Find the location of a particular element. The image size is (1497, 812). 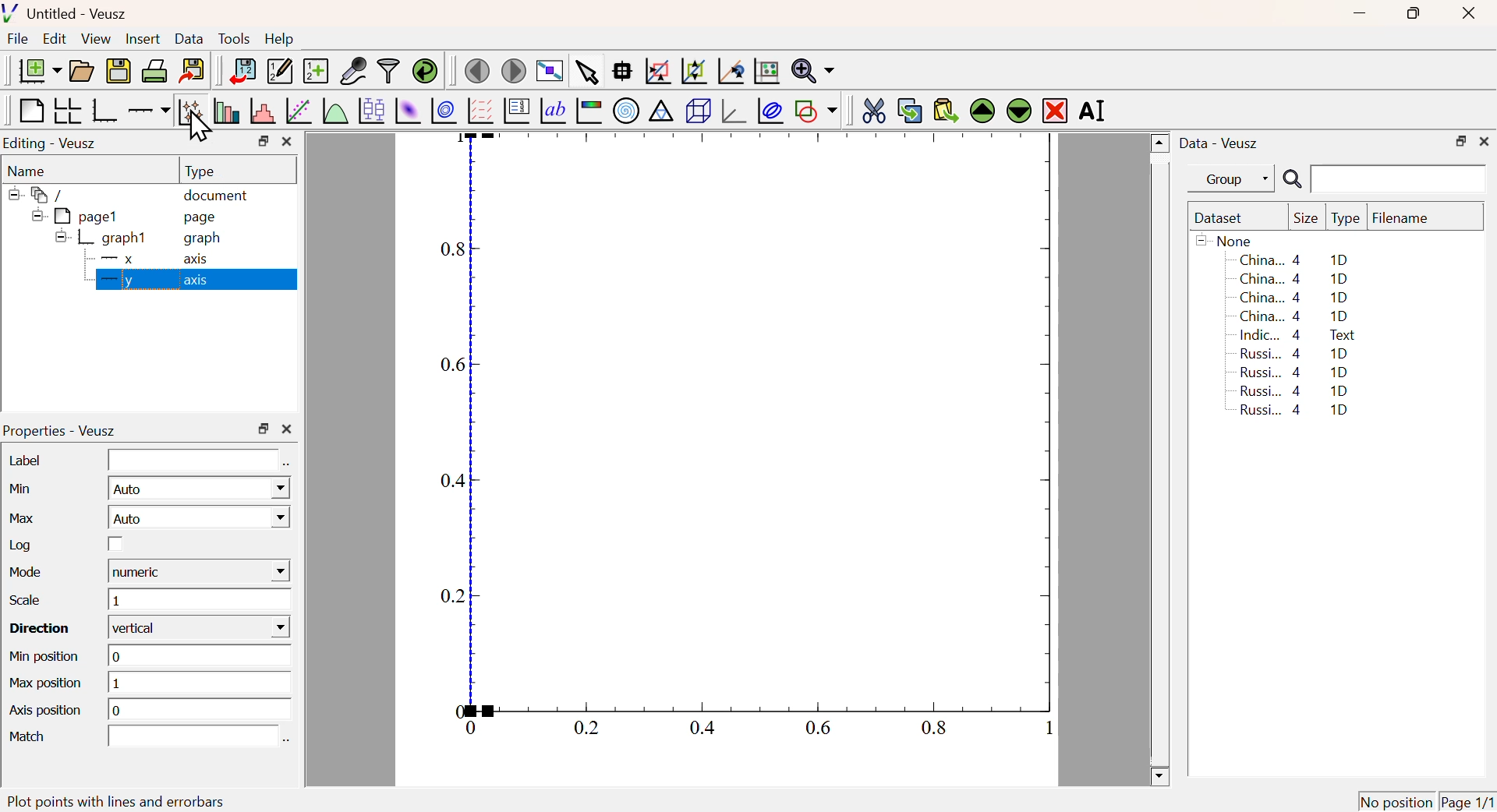

page is located at coordinates (203, 217).